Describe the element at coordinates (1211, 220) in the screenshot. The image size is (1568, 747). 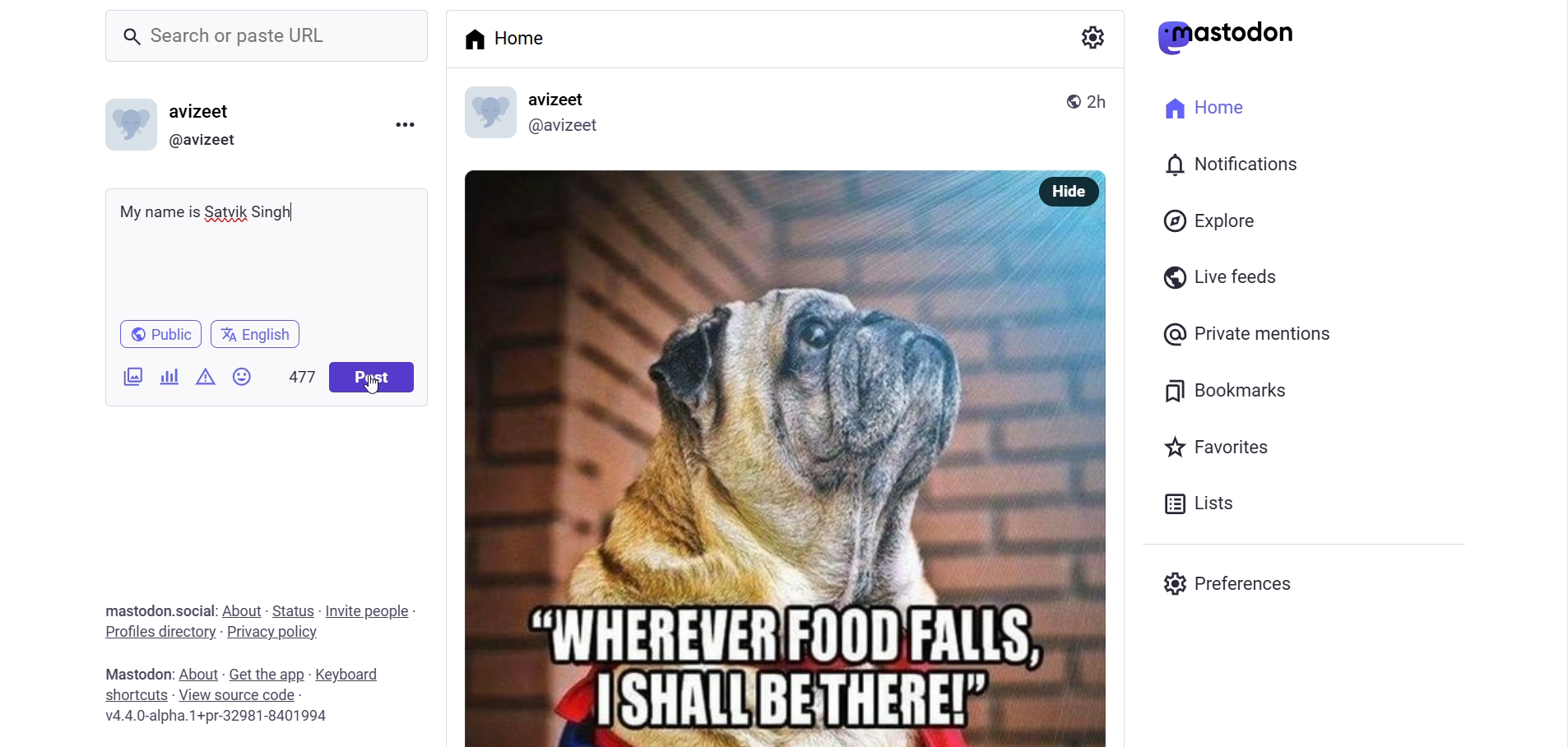
I see `Explore` at that location.